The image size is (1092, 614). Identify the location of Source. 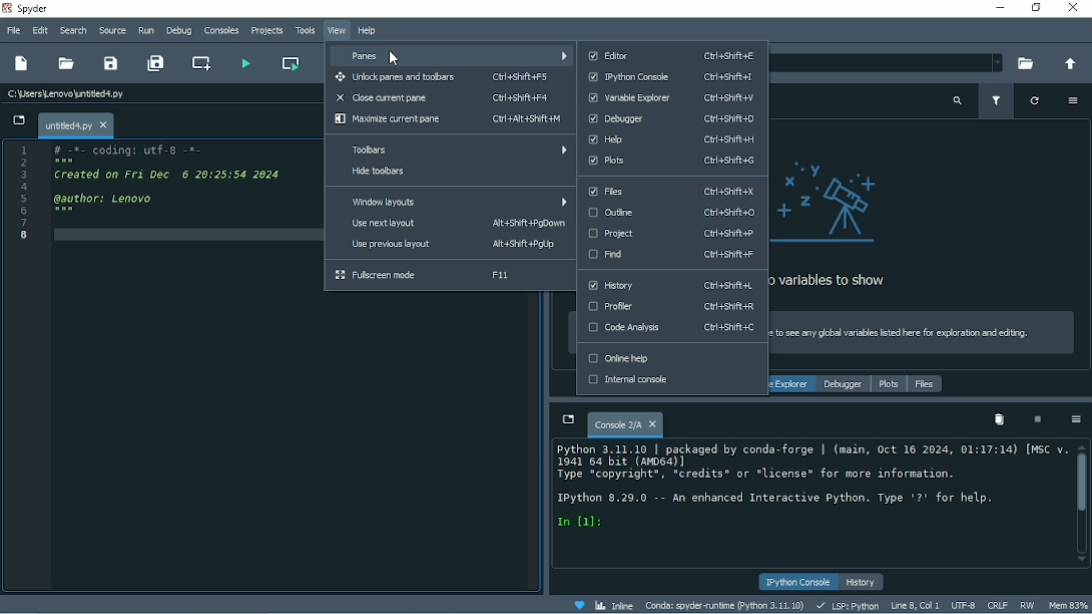
(113, 30).